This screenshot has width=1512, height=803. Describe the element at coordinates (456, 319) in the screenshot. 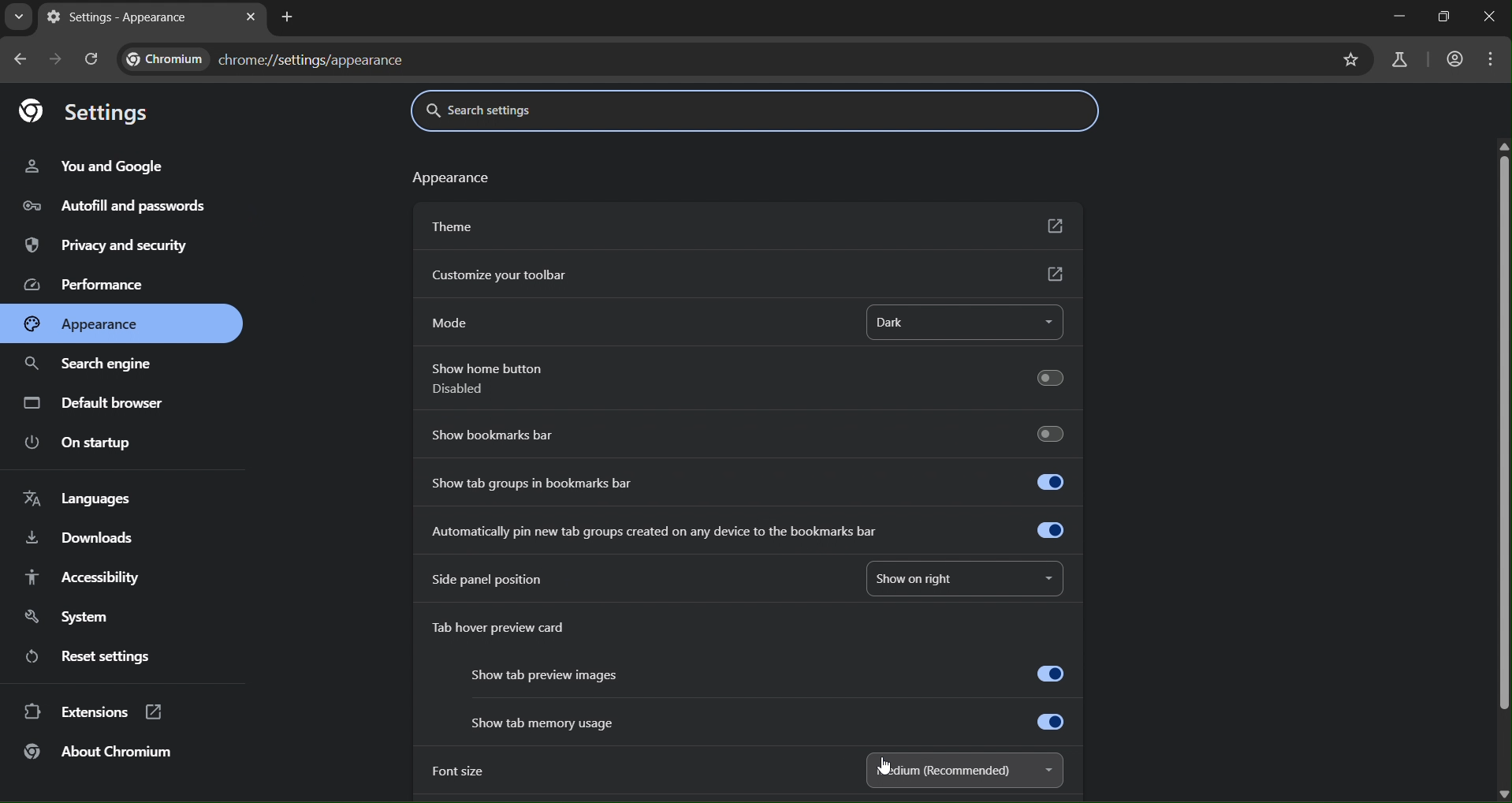

I see `mode` at that location.